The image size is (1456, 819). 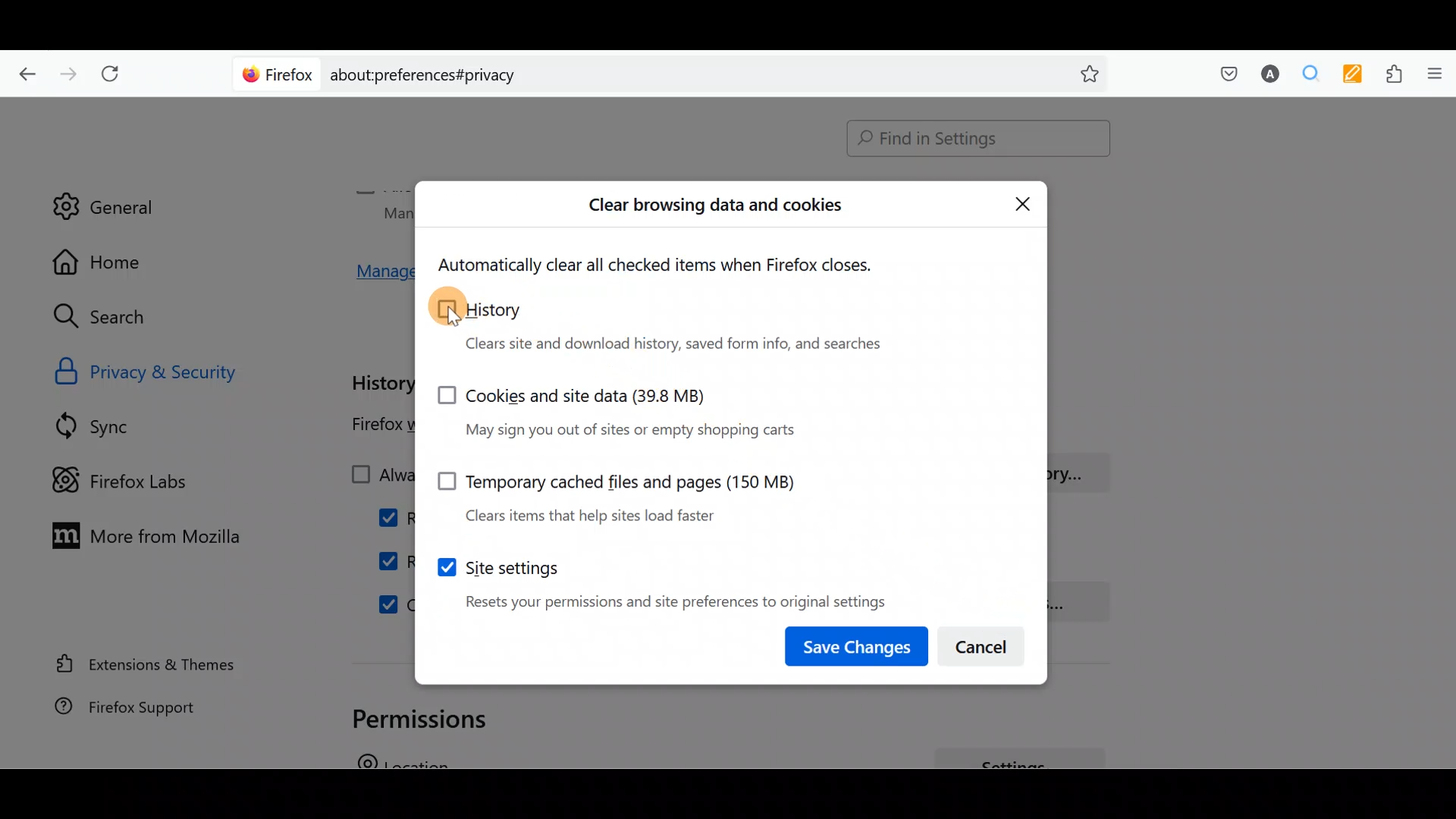 I want to click on Privacy & security, so click(x=184, y=370).